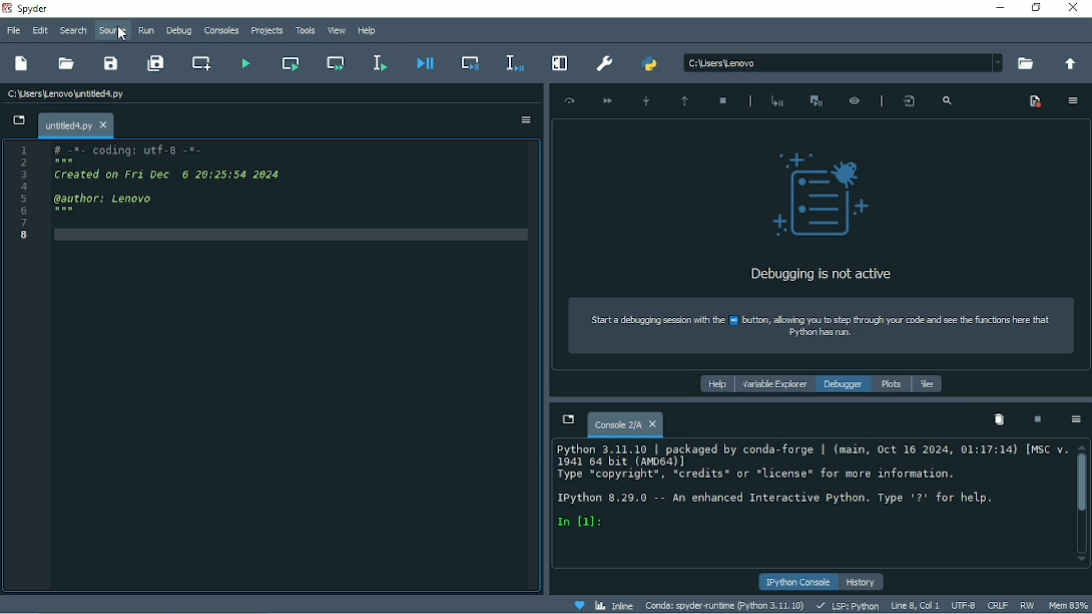 This screenshot has width=1092, height=614. I want to click on LSP, so click(846, 605).